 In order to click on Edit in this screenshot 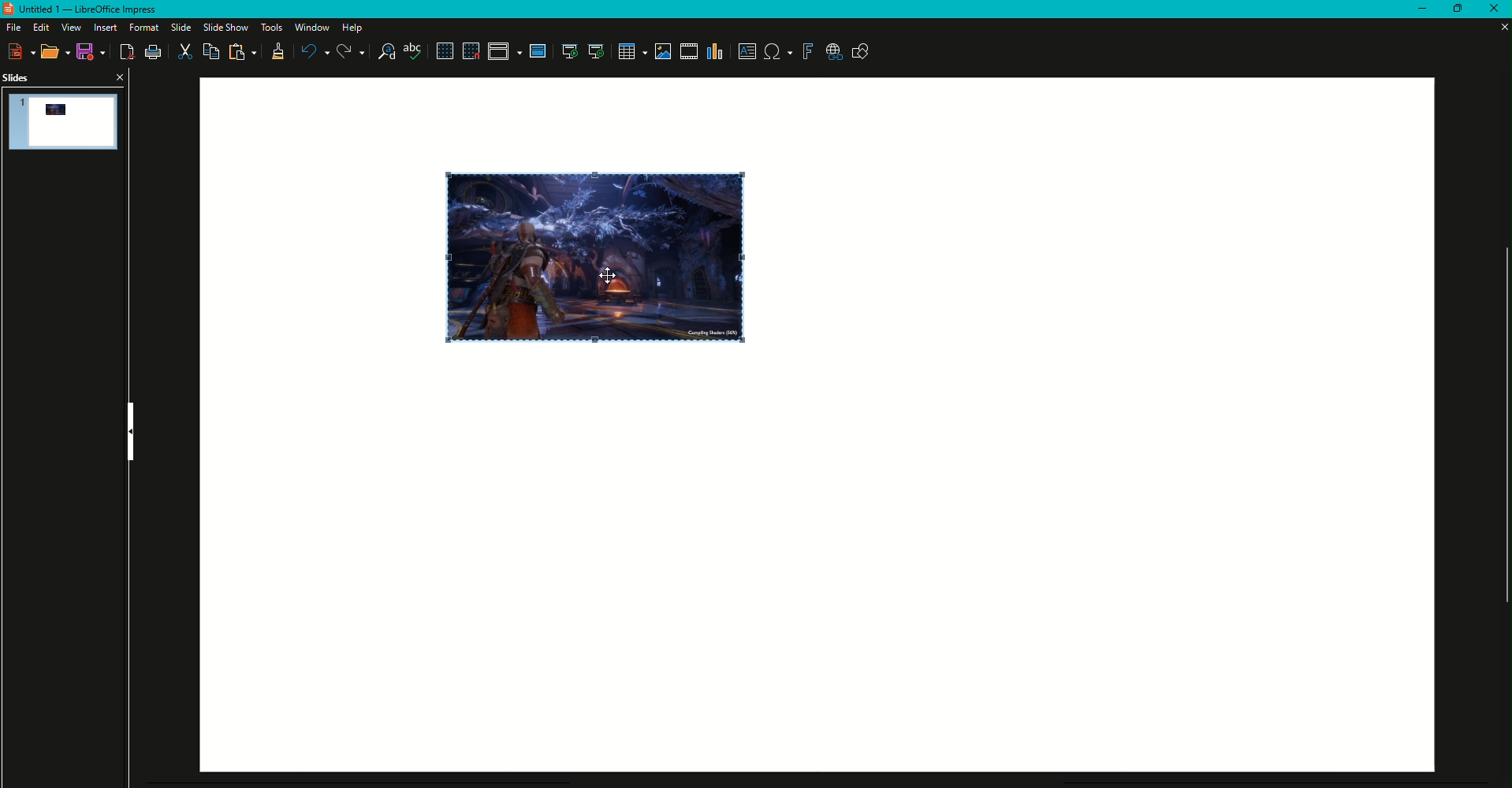, I will do `click(39, 28)`.